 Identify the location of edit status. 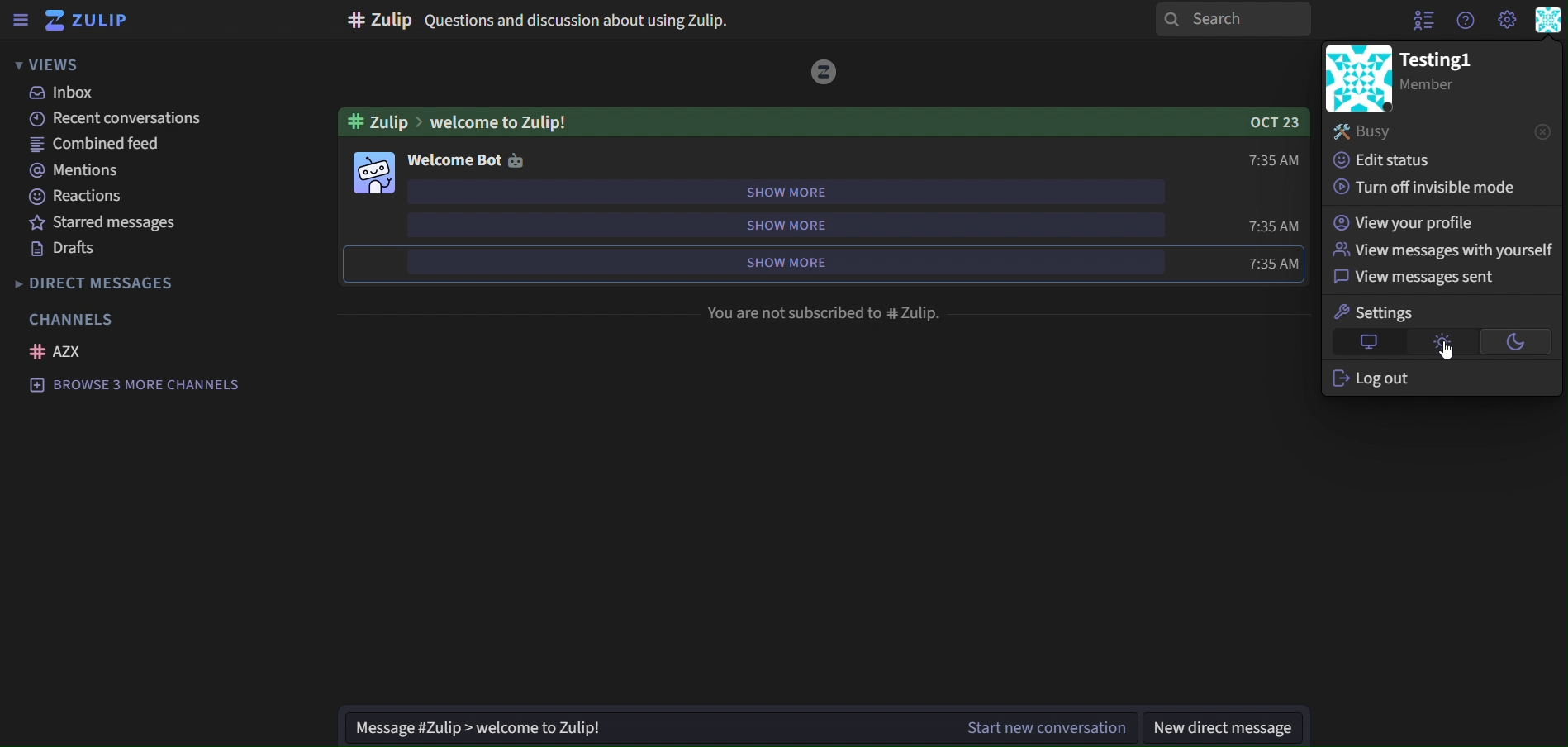
(1383, 160).